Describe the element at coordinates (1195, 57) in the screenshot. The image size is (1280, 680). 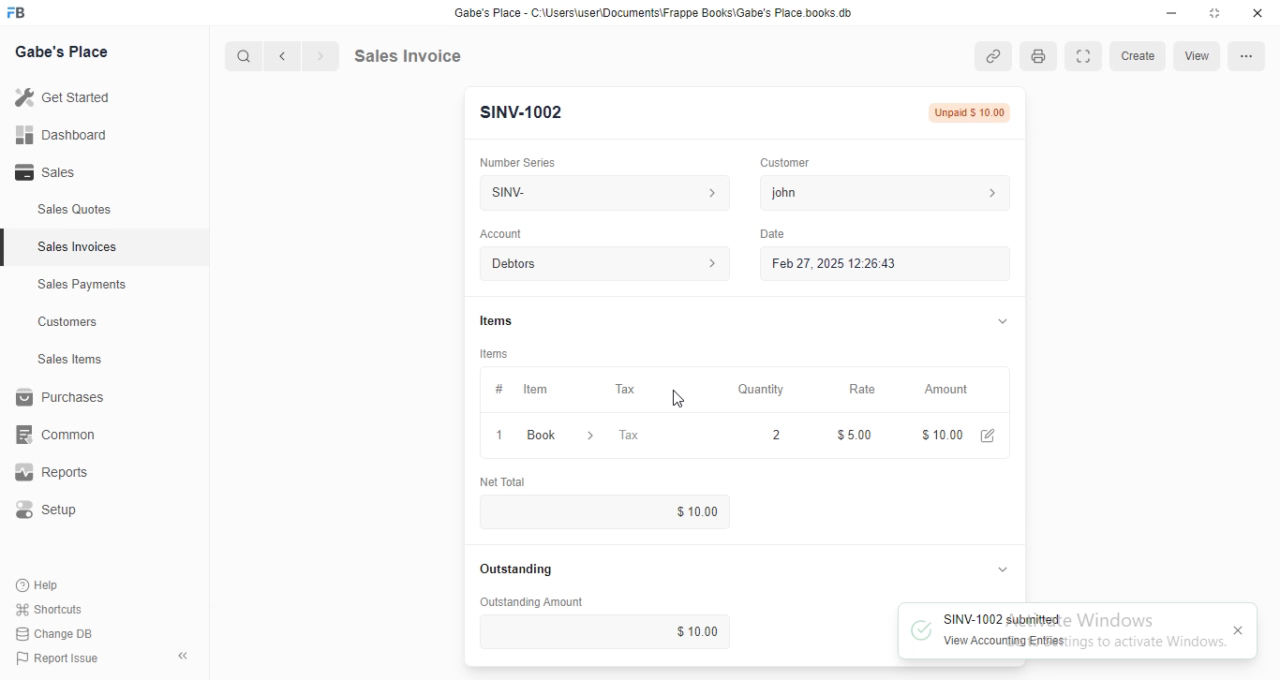
I see `View` at that location.